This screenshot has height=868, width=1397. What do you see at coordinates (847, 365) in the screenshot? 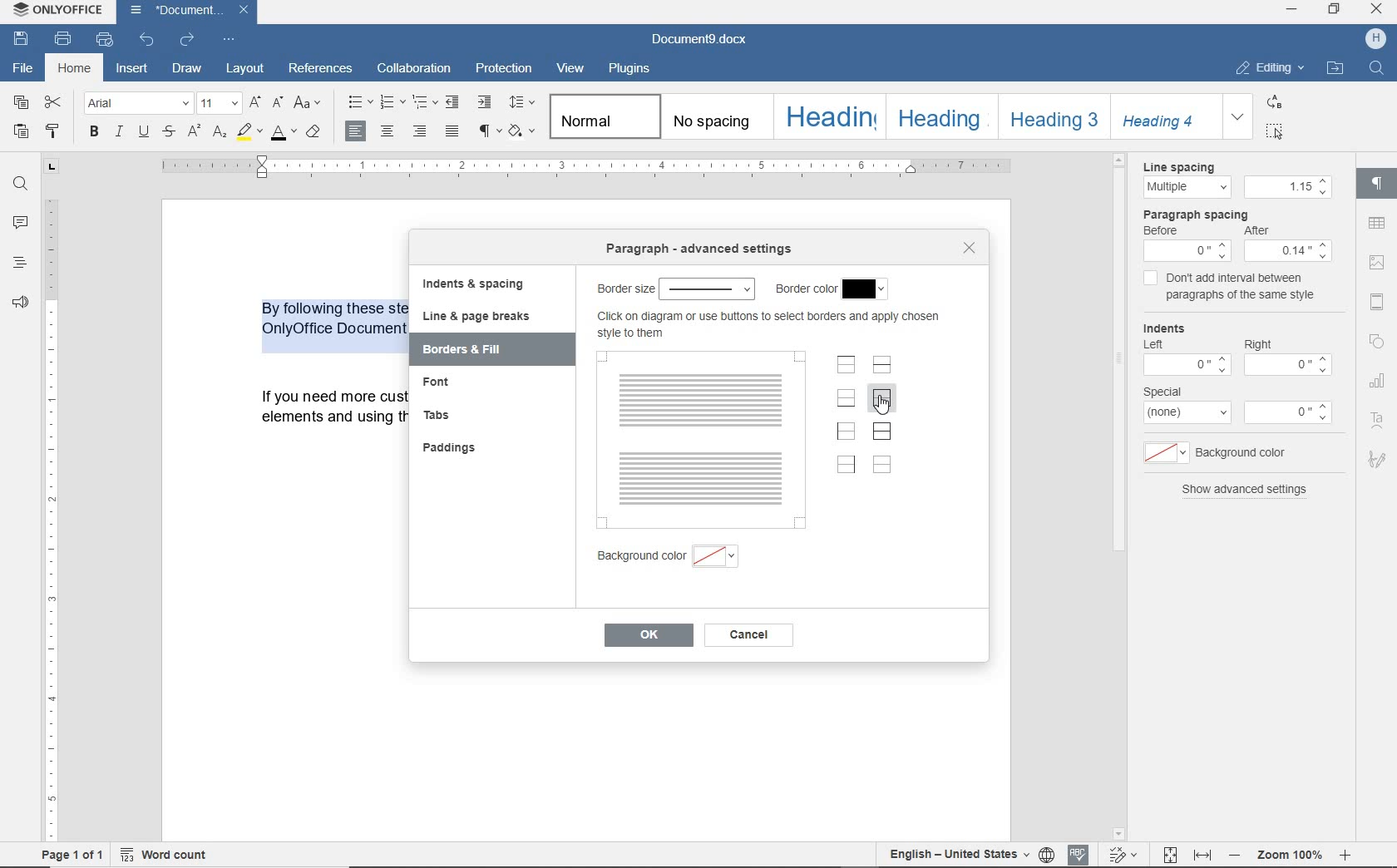
I see `set top border only` at bounding box center [847, 365].